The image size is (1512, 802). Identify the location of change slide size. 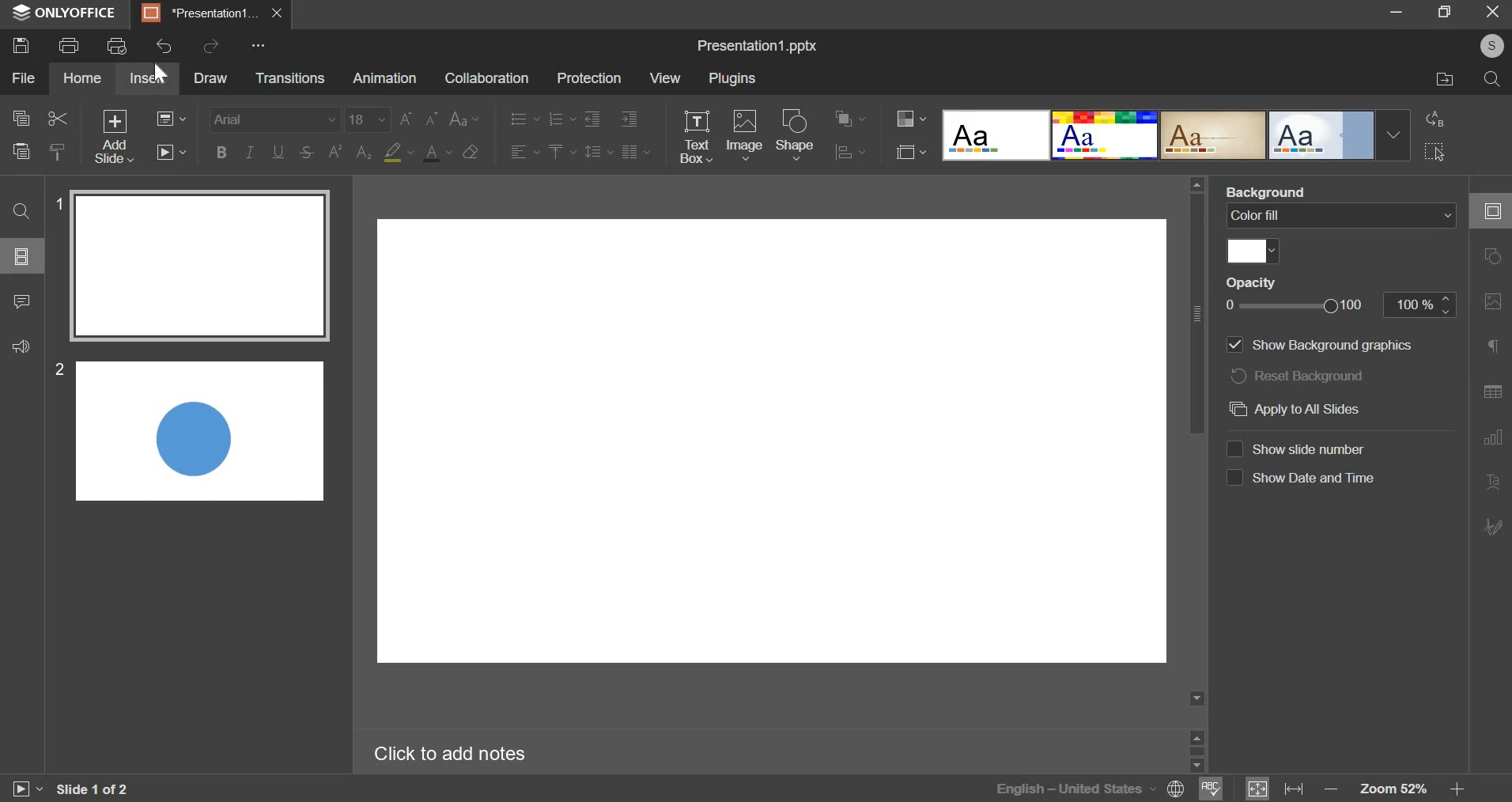
(912, 153).